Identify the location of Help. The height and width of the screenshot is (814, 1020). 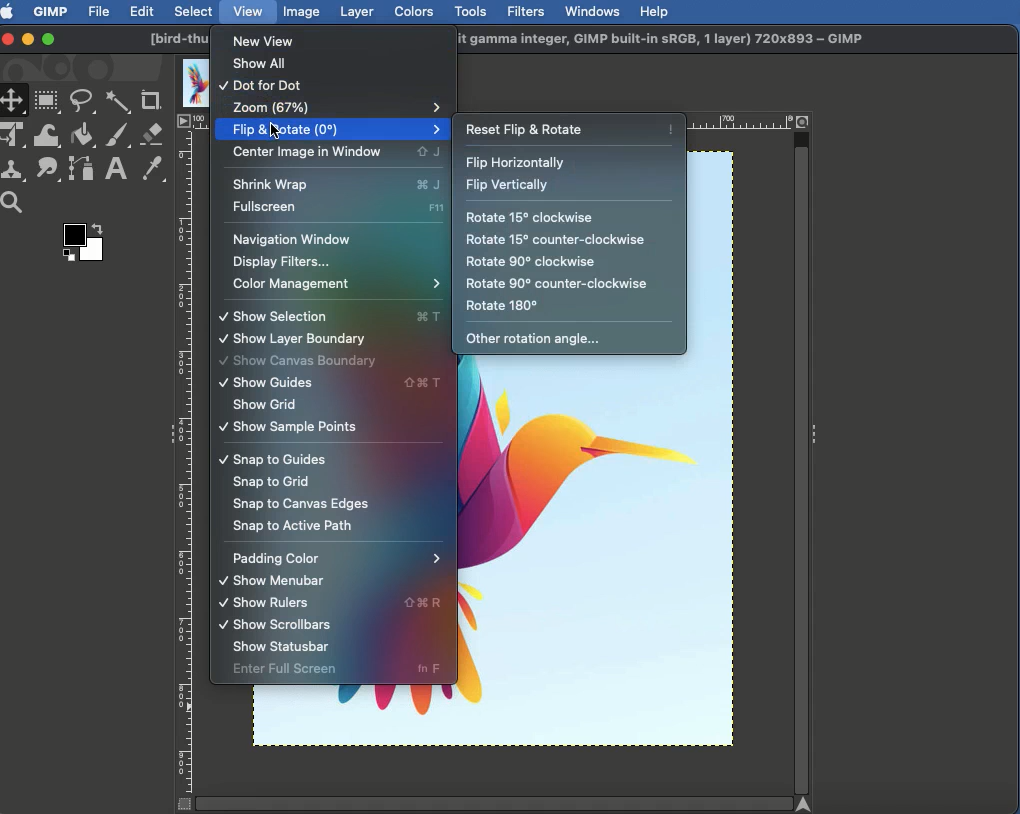
(654, 10).